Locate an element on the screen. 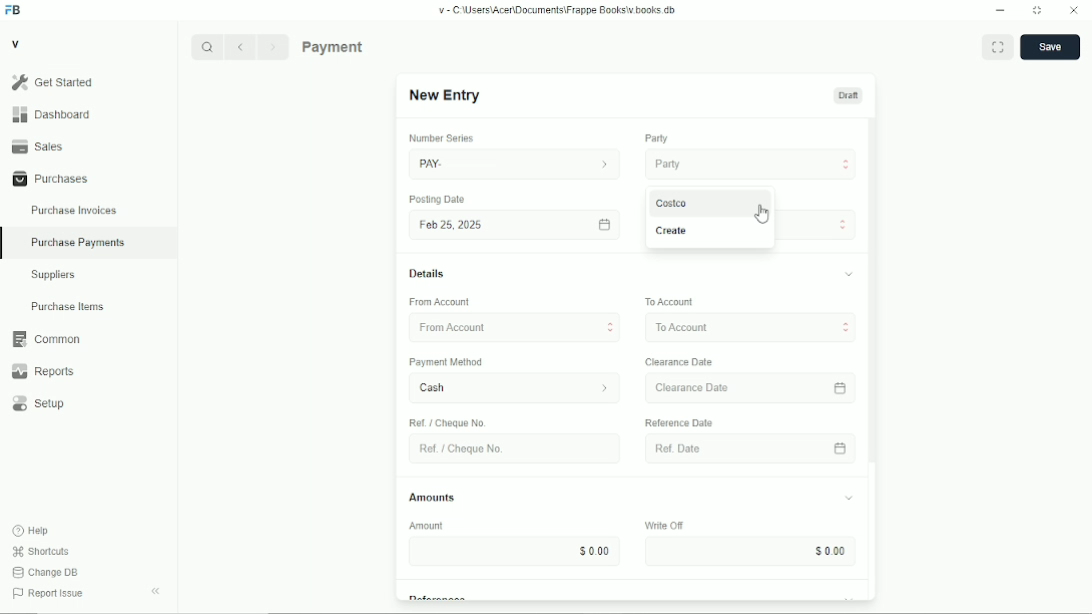 The image size is (1092, 614). Clearance Date is located at coordinates (683, 362).